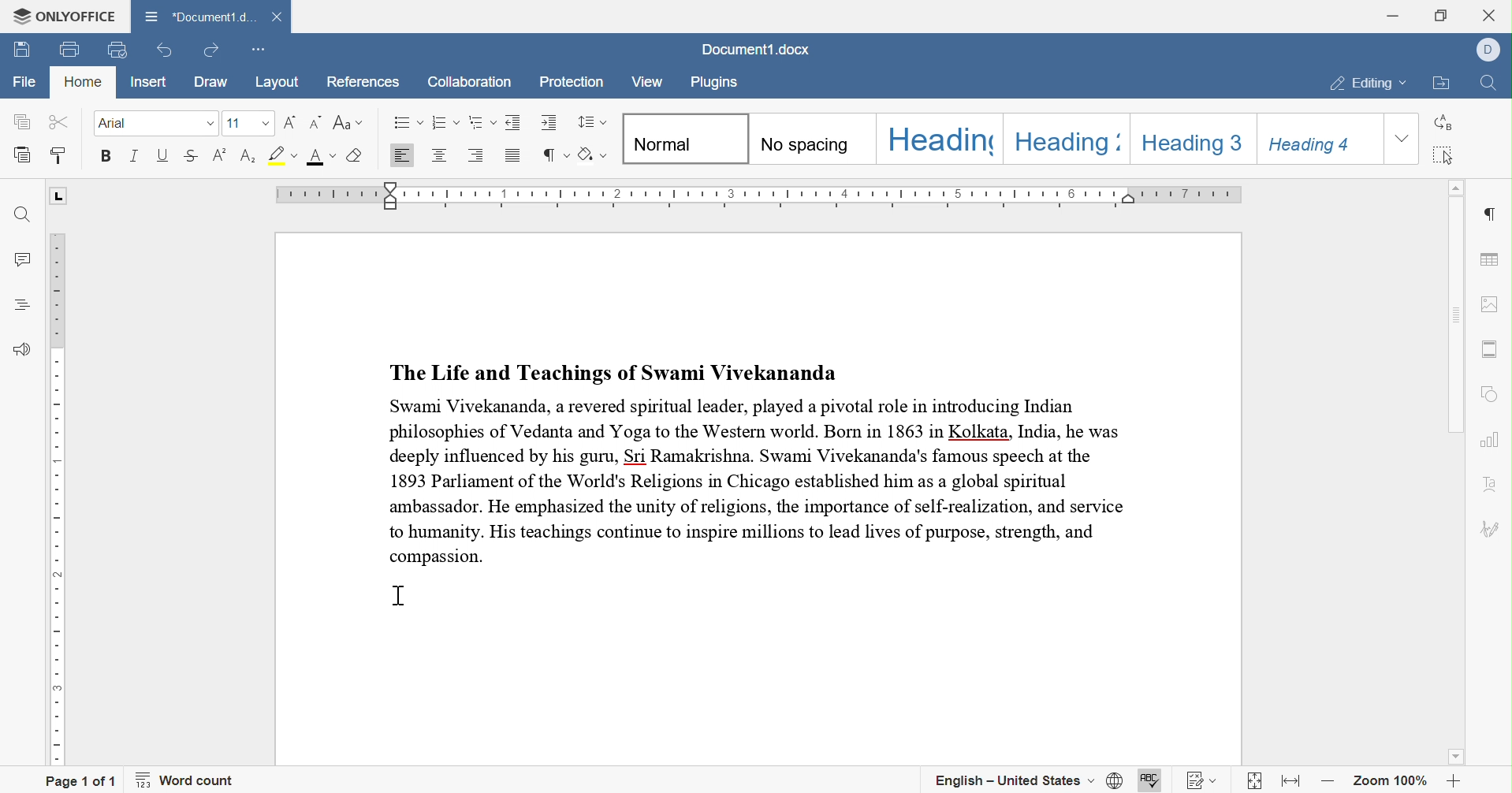  Describe the element at coordinates (1487, 303) in the screenshot. I see `image settings` at that location.